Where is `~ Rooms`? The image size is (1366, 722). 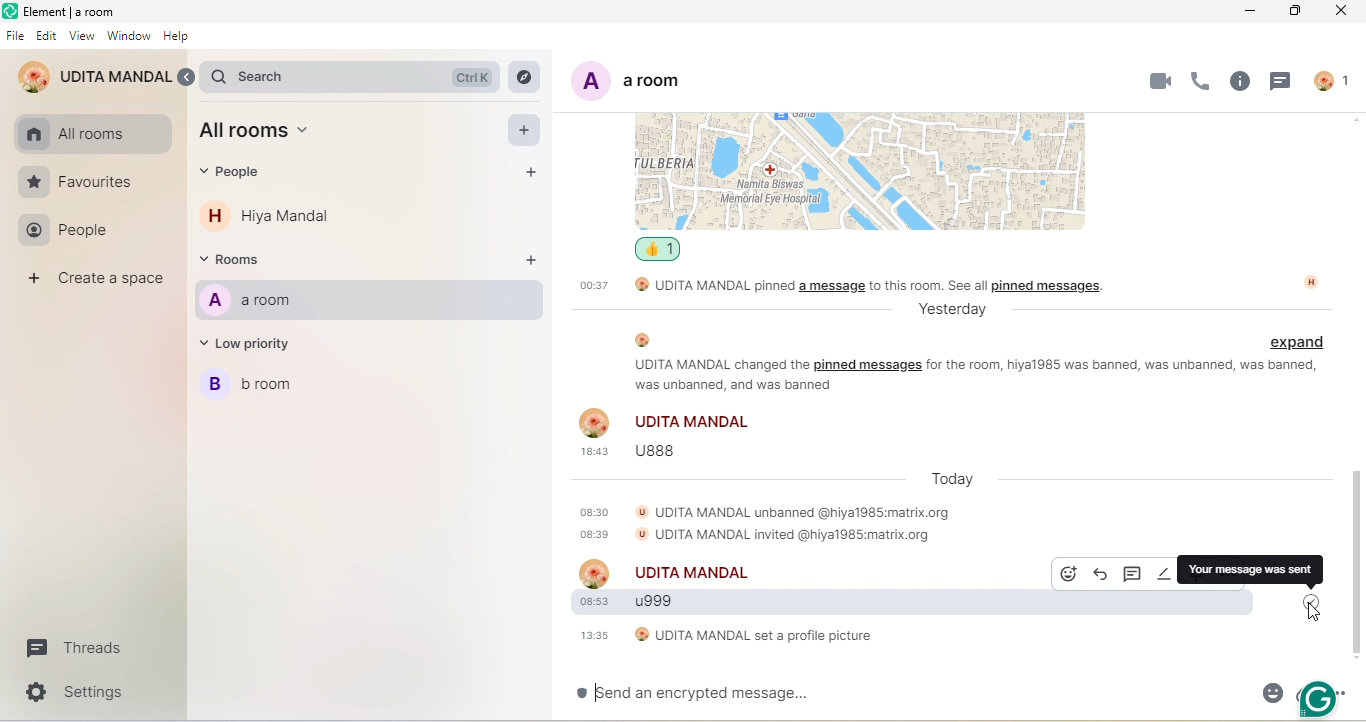 ~ Rooms is located at coordinates (247, 261).